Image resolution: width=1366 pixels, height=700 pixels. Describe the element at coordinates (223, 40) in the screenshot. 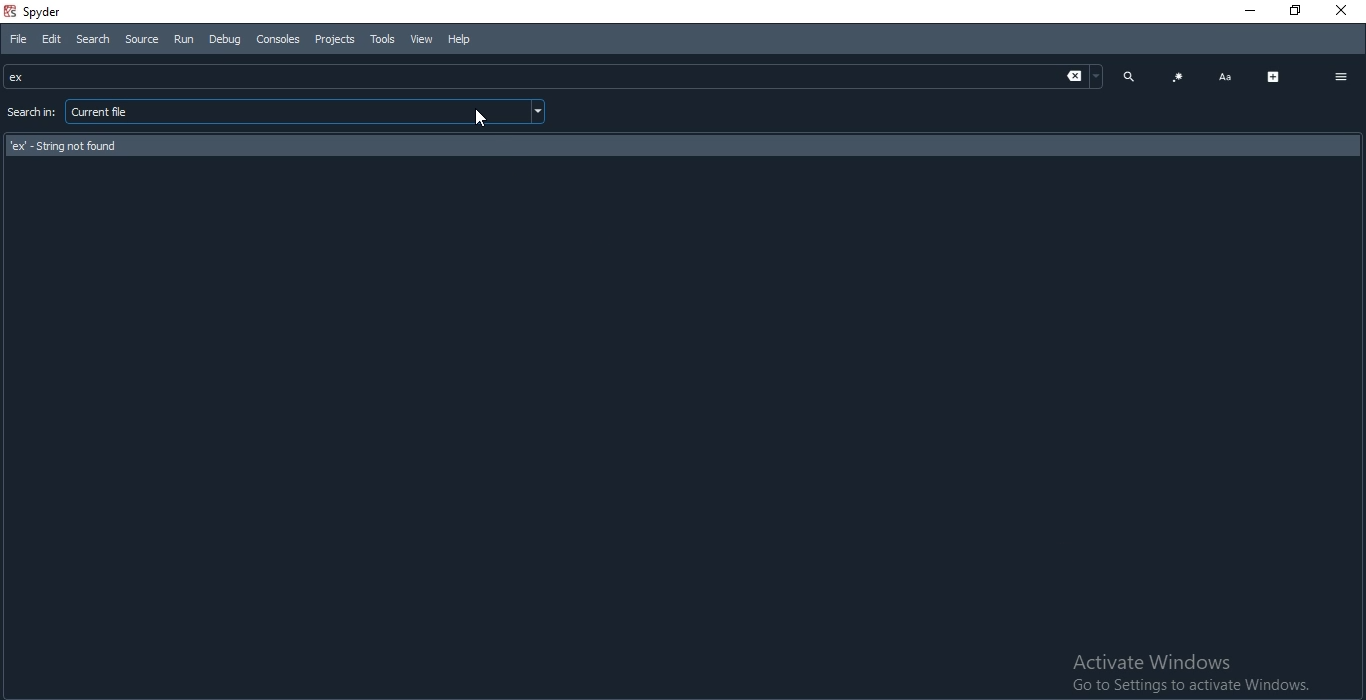

I see `Debug` at that location.